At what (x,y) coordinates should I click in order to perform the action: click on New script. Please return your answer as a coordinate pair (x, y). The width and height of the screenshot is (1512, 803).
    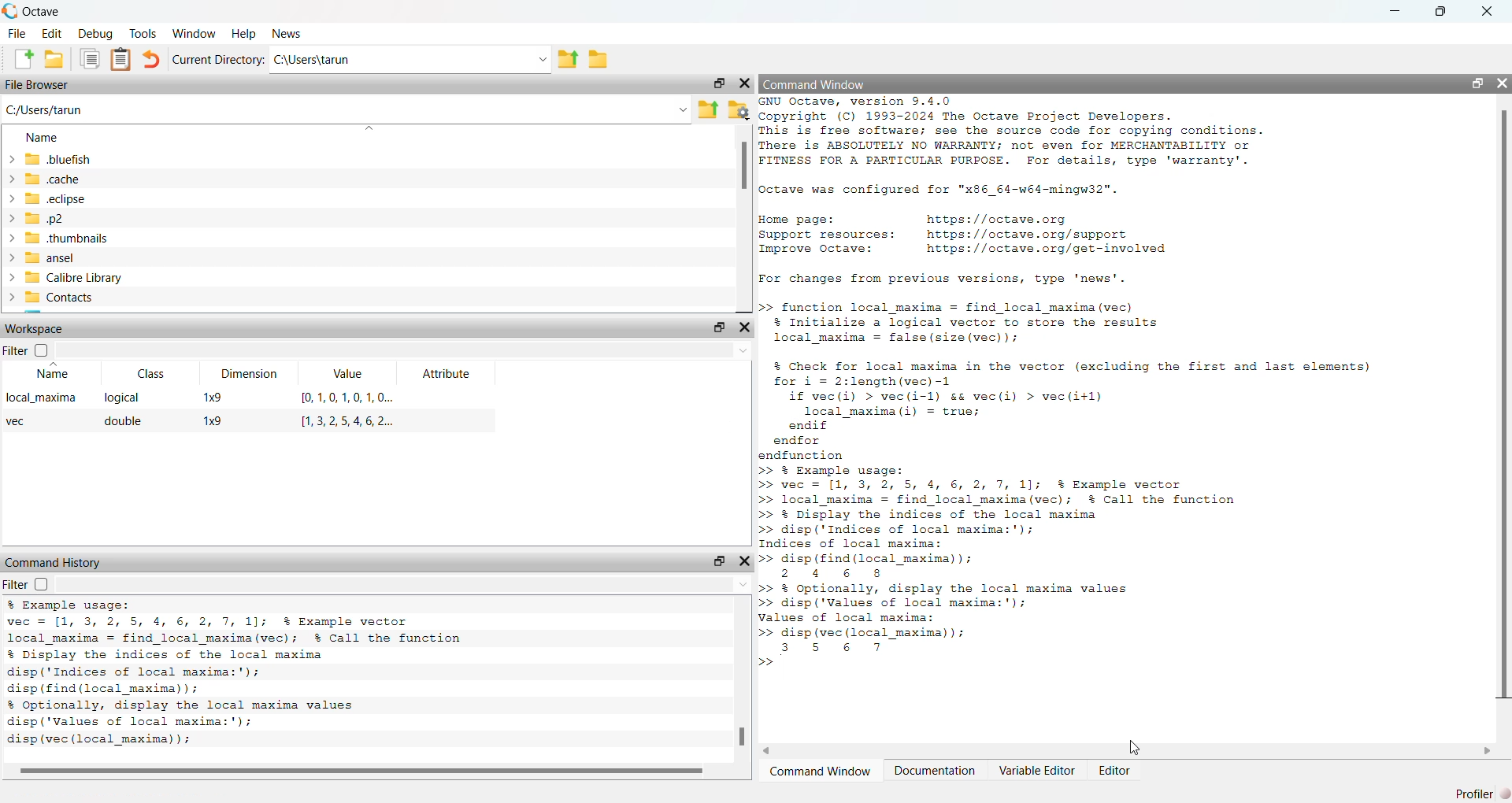
    Looking at the image, I should click on (21, 59).